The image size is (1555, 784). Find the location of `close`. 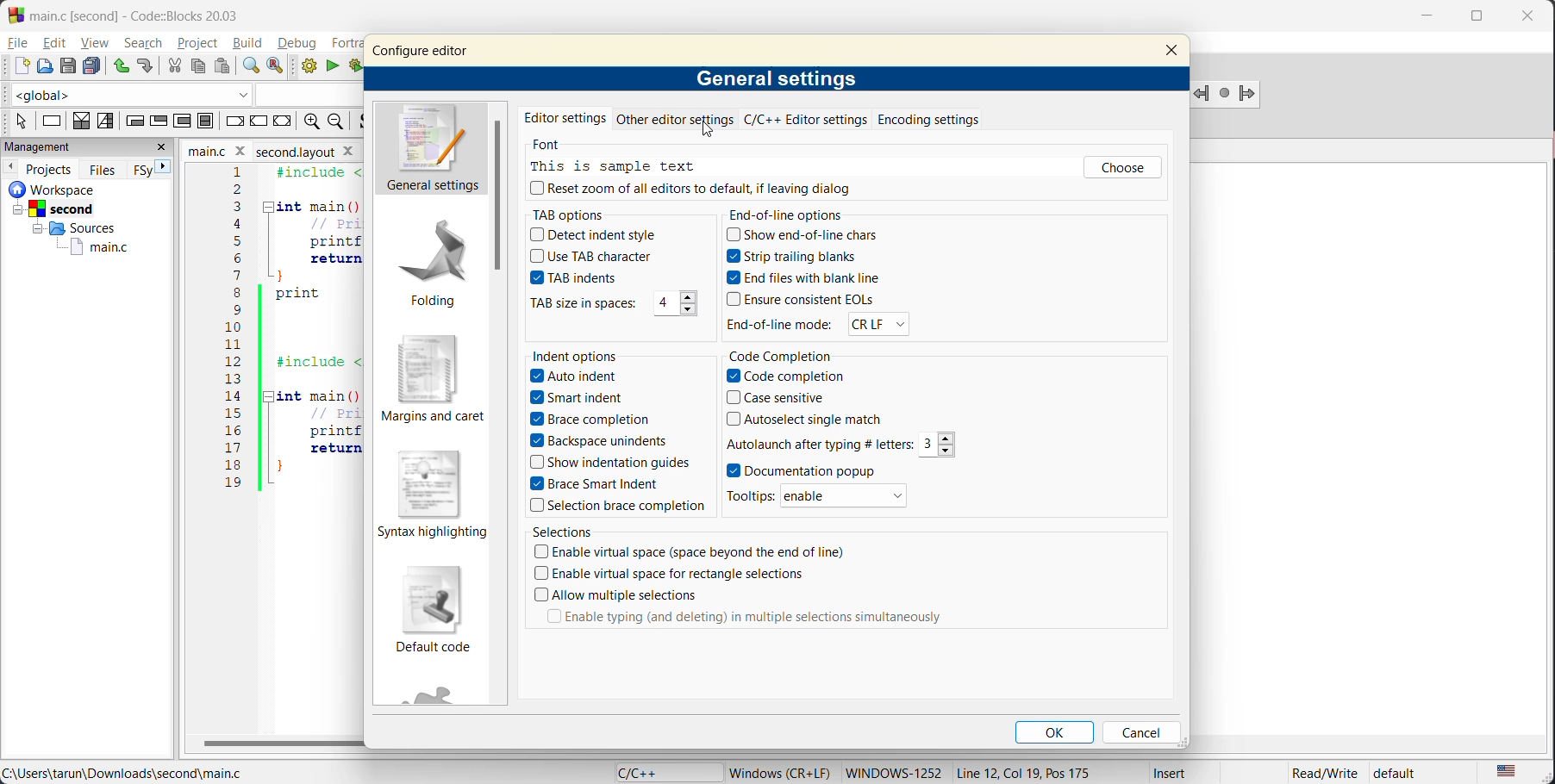

close is located at coordinates (1175, 51).